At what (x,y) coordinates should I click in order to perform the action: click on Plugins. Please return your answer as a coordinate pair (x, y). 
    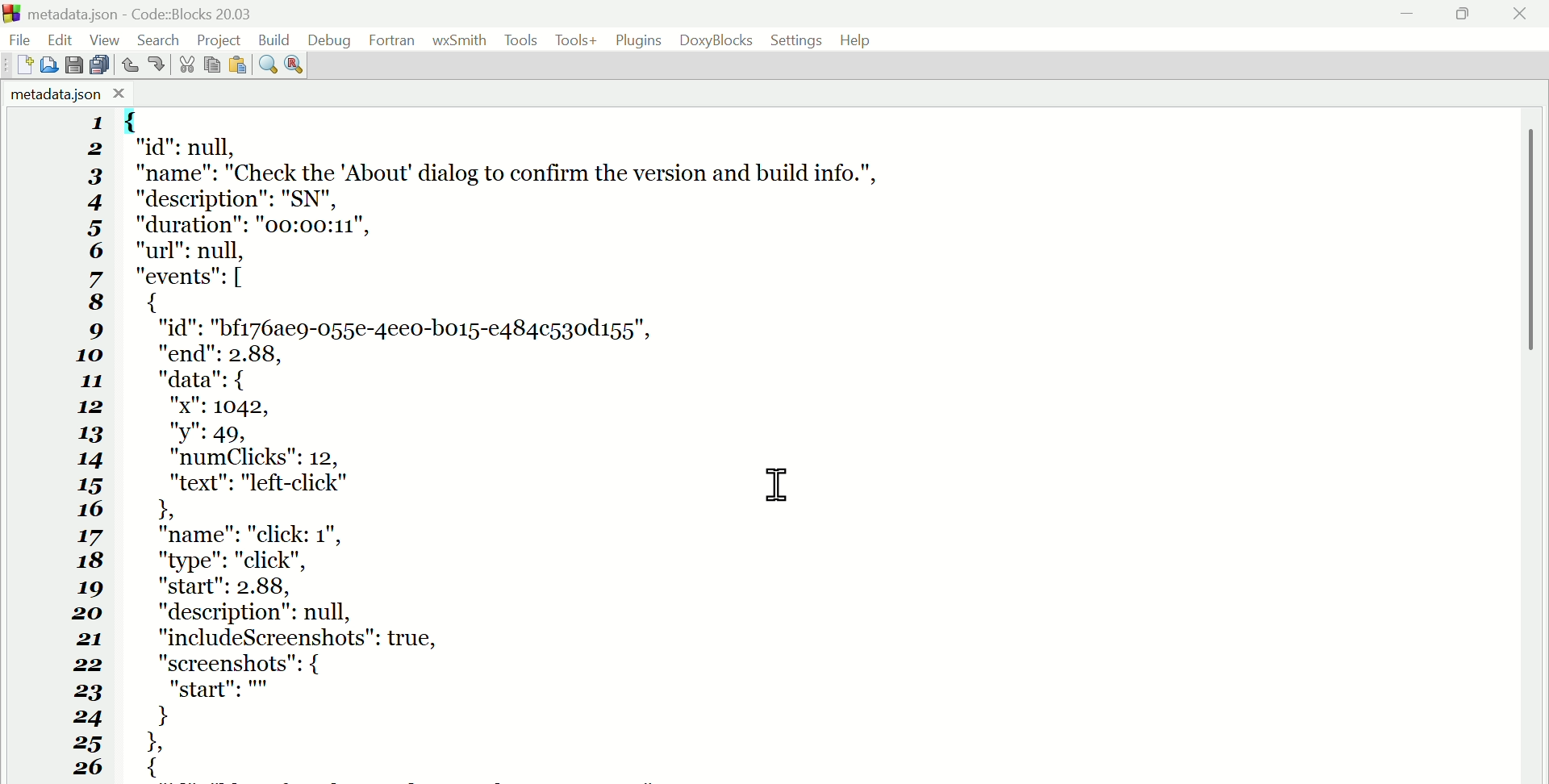
    Looking at the image, I should click on (640, 40).